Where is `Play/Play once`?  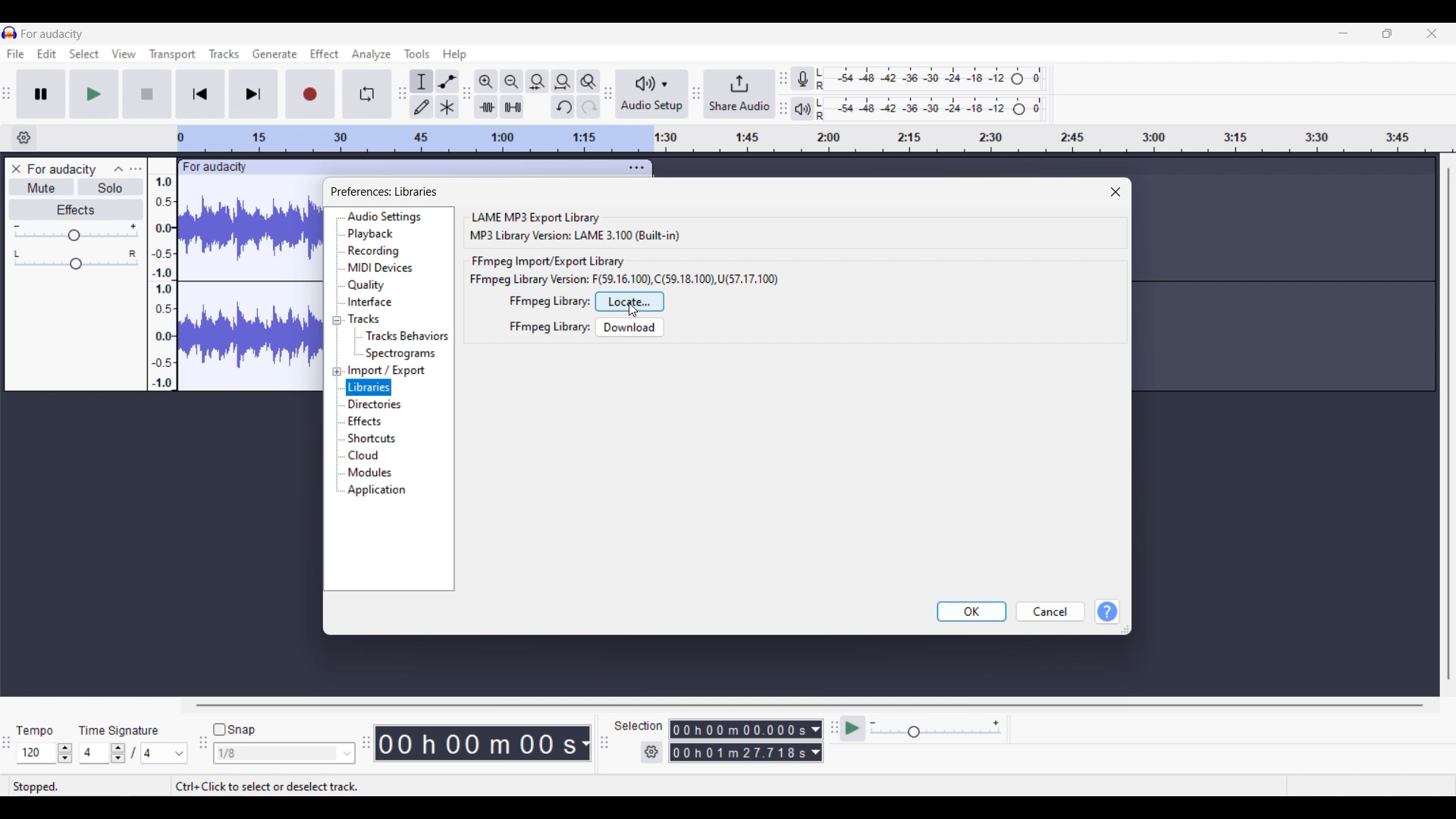 Play/Play once is located at coordinates (94, 94).